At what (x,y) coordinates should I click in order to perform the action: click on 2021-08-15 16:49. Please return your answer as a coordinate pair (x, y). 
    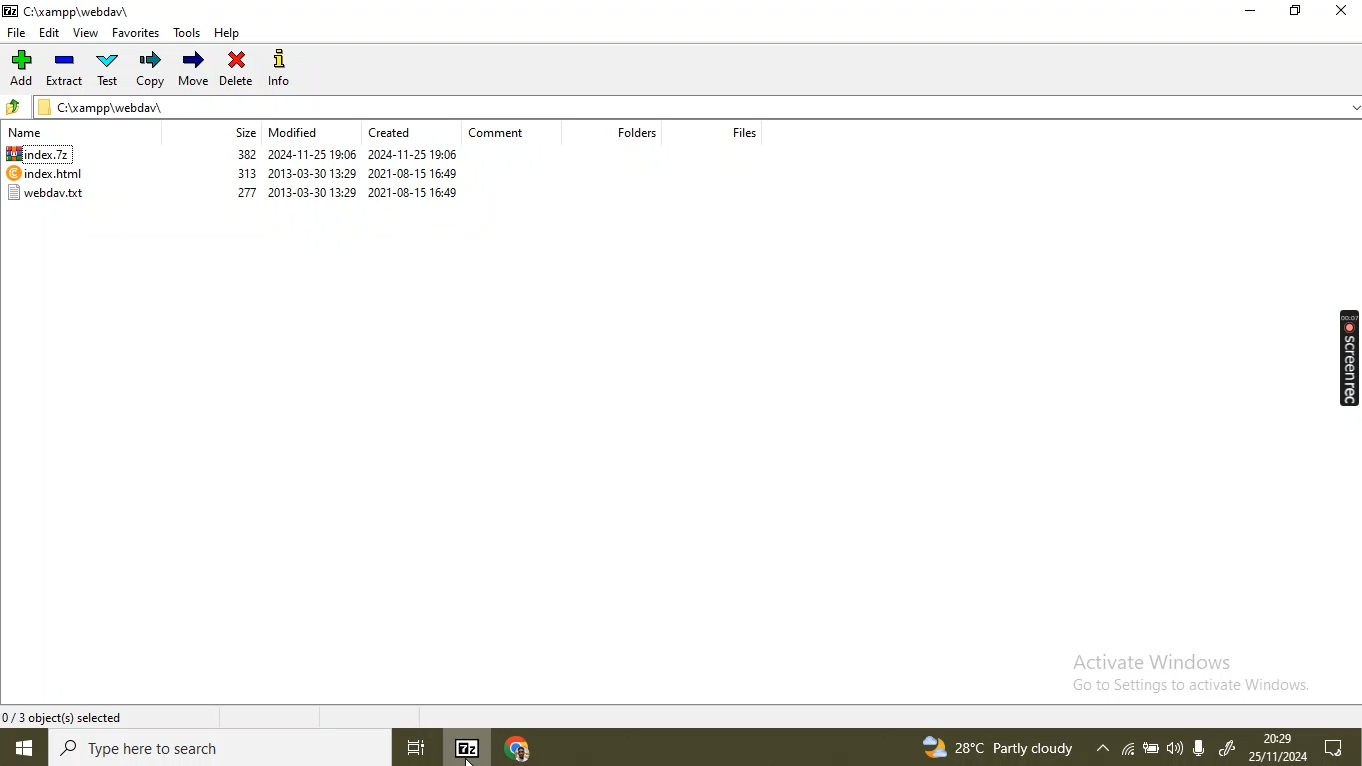
    Looking at the image, I should click on (418, 174).